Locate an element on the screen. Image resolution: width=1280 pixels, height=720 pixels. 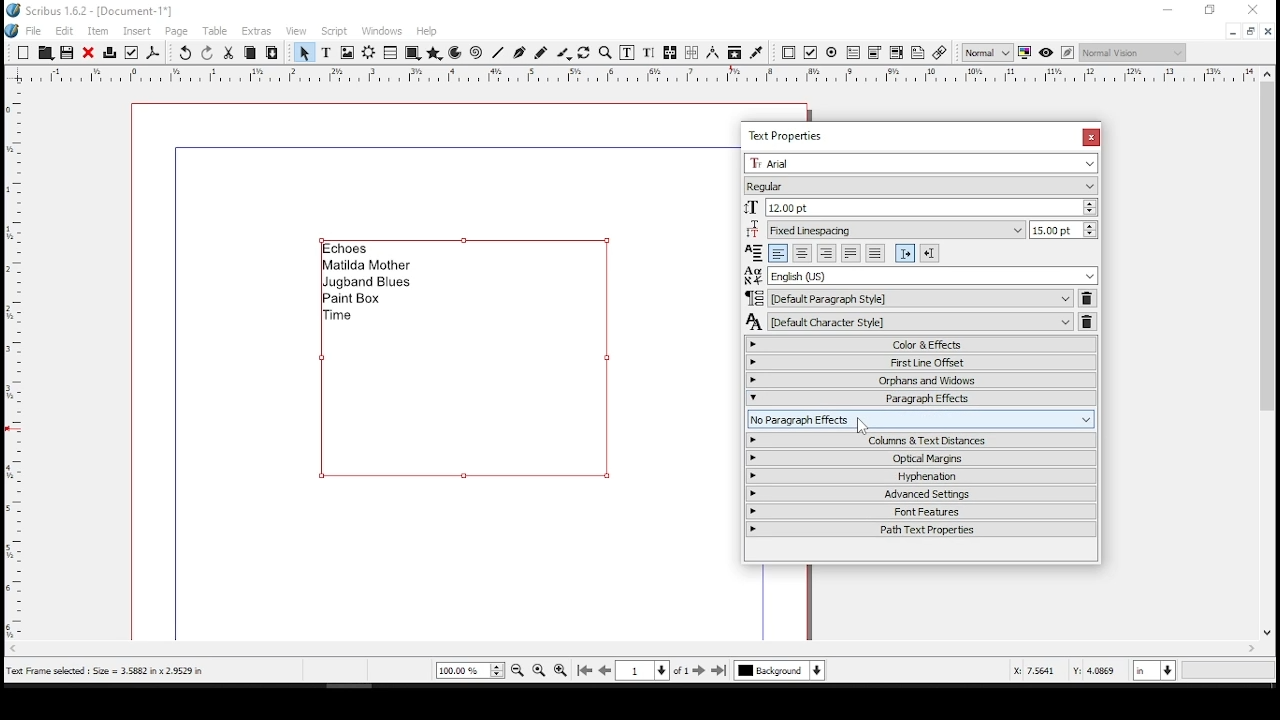
font size is located at coordinates (922, 207).